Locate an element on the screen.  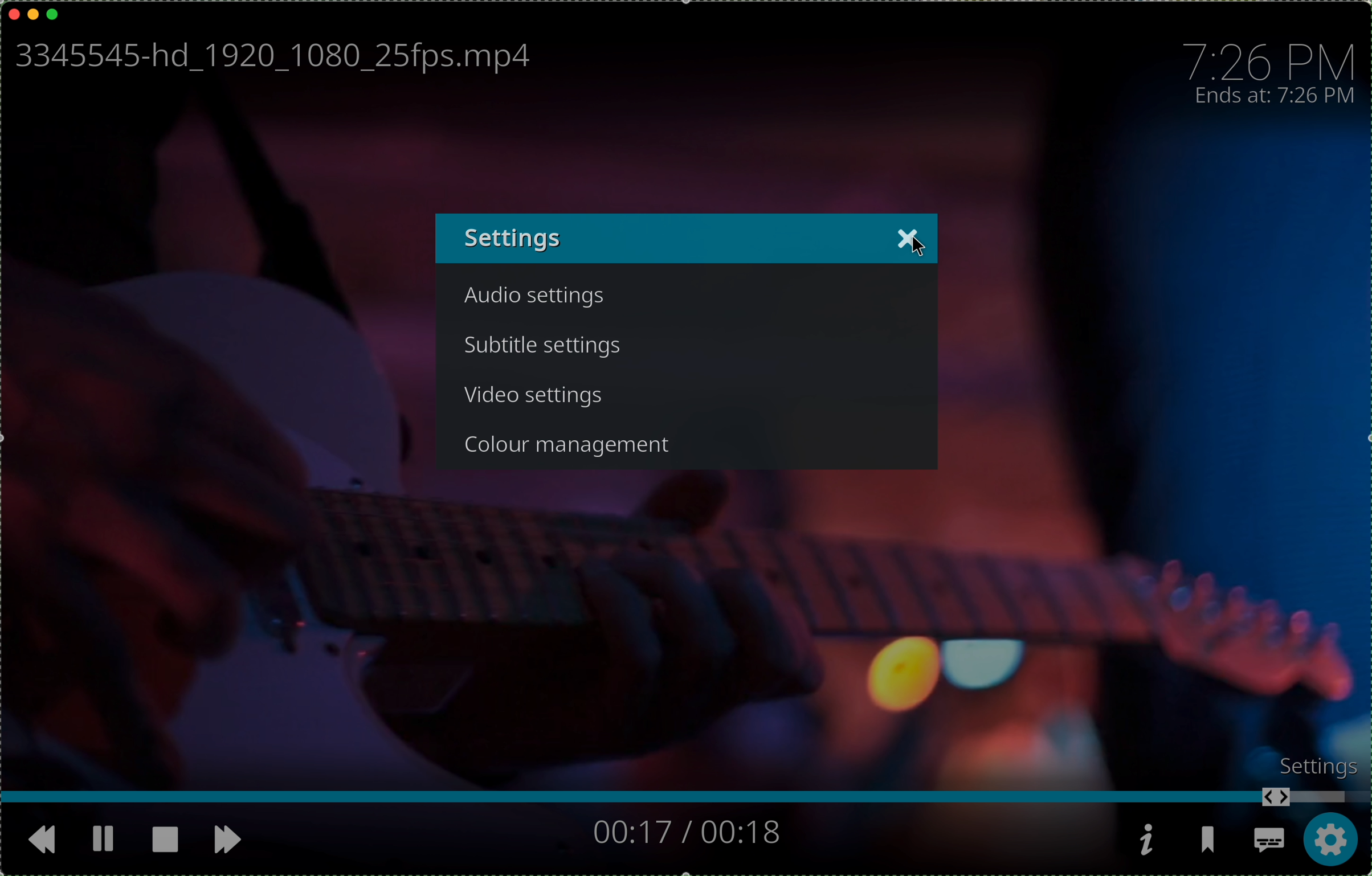
settings is located at coordinates (514, 239).